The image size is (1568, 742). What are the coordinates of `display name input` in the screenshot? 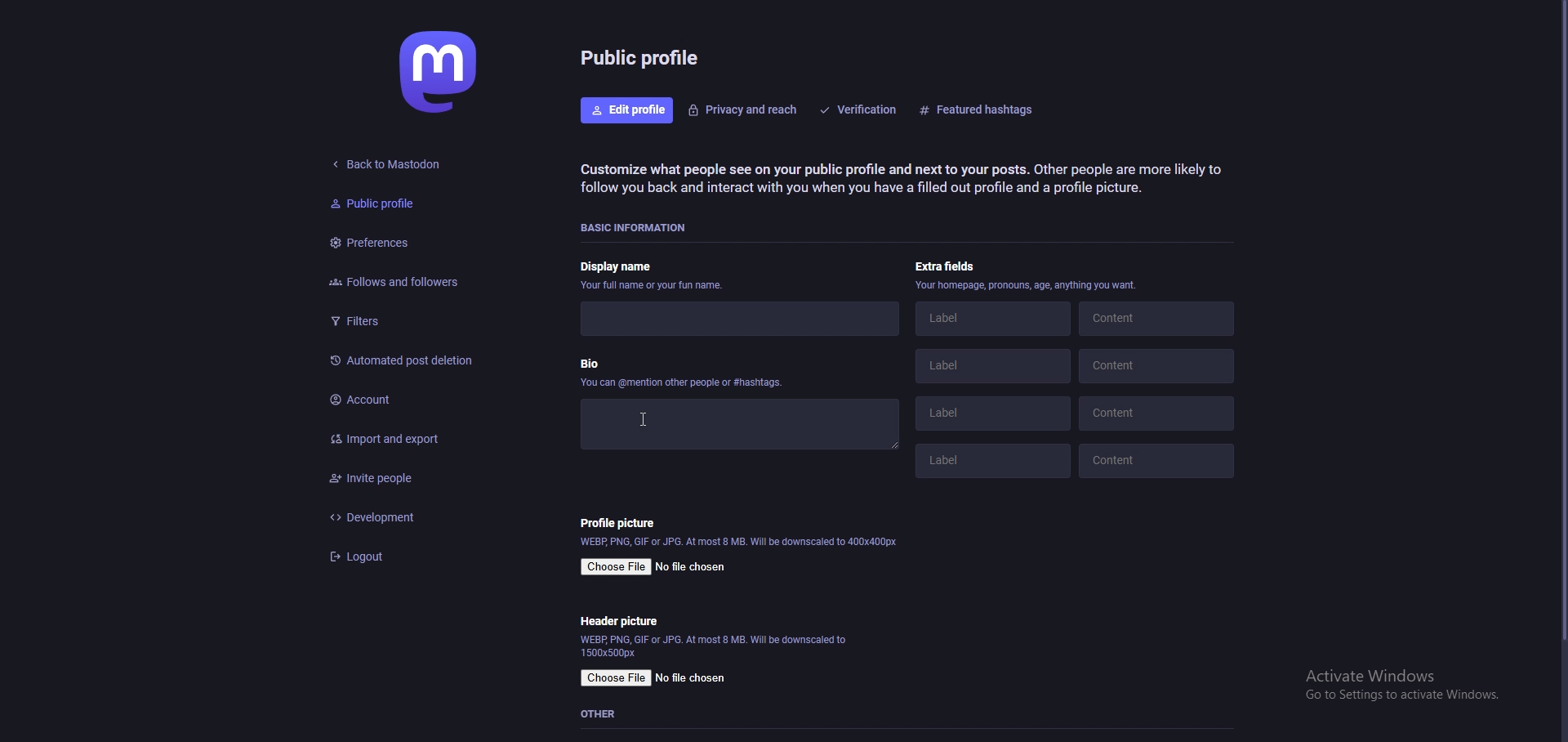 It's located at (737, 320).